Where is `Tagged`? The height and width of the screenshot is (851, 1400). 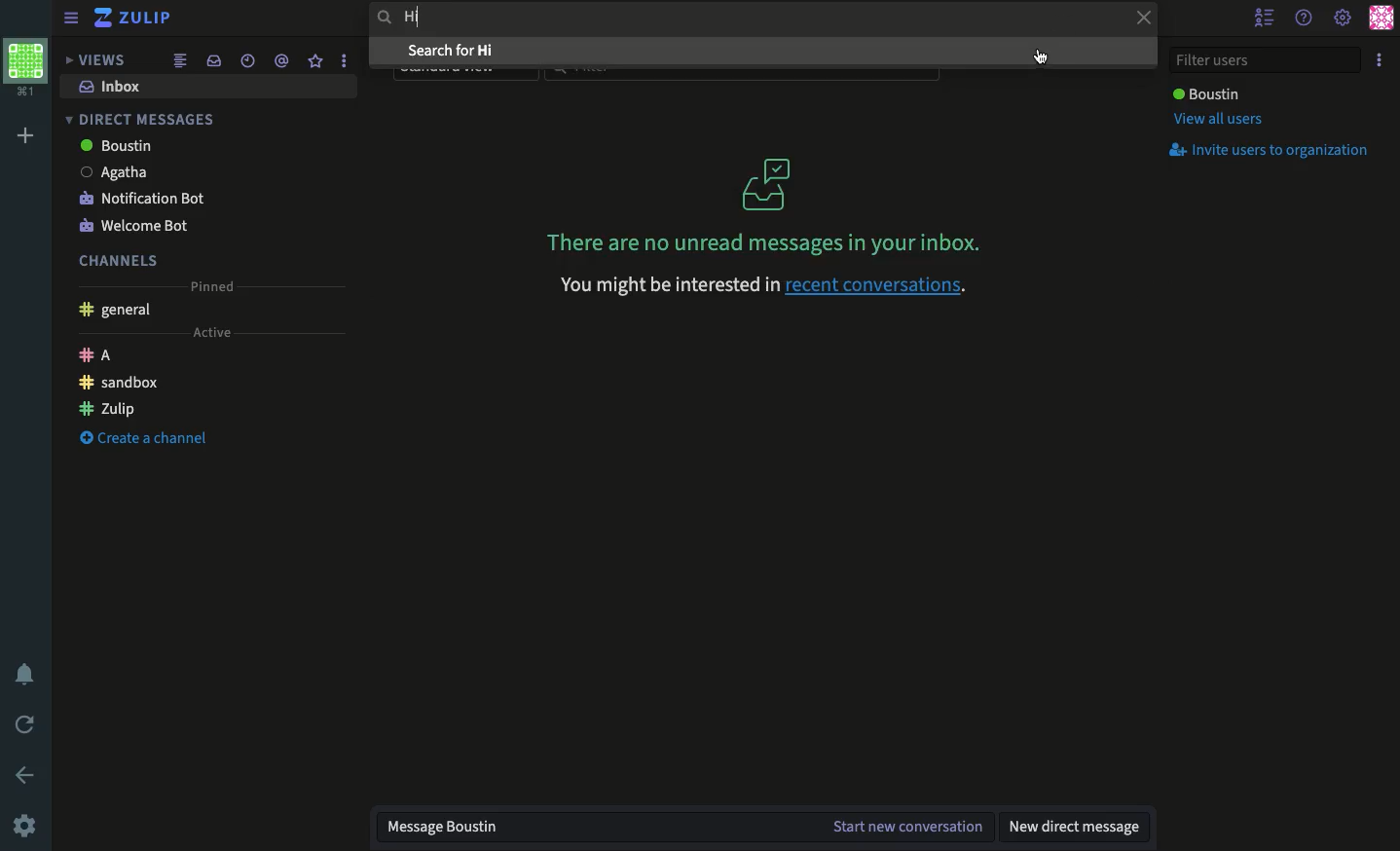
Tagged is located at coordinates (280, 61).